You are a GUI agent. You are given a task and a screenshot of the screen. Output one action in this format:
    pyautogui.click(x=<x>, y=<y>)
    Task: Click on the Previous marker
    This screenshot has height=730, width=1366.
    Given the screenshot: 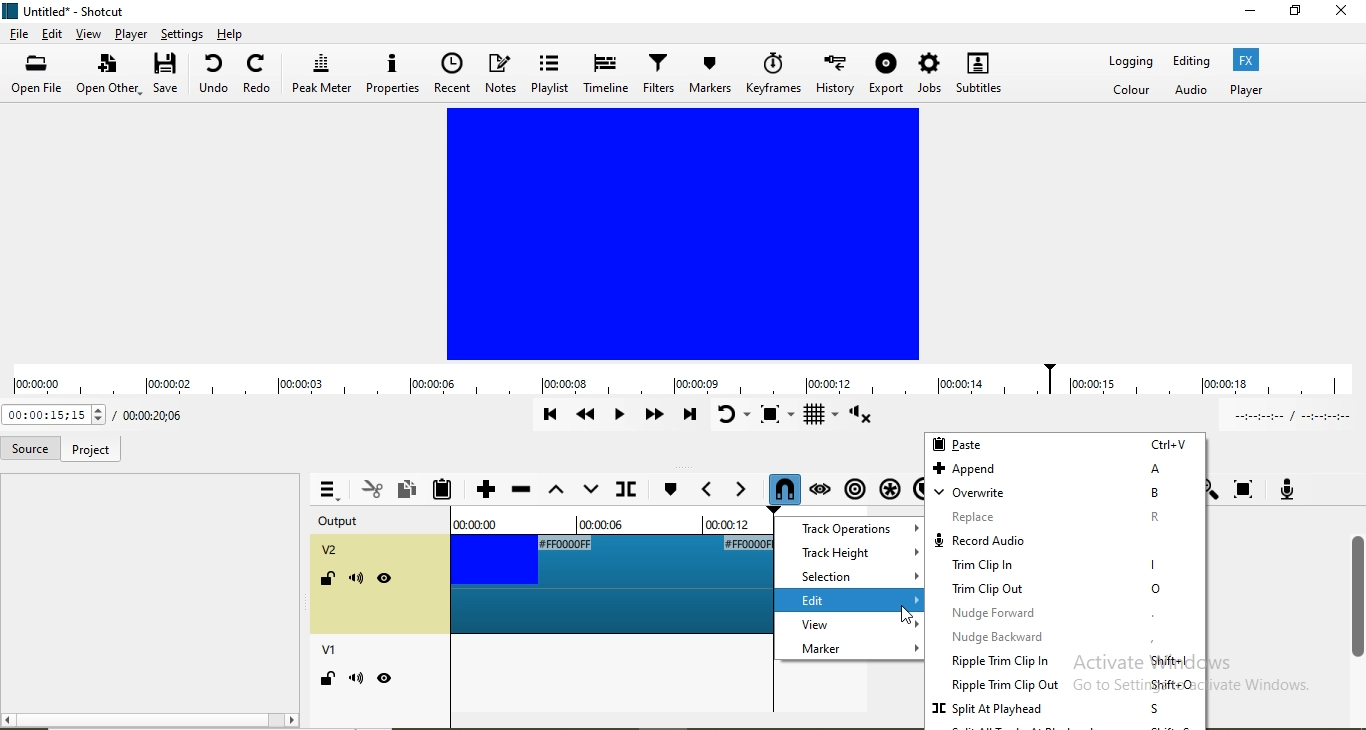 What is the action you would take?
    pyautogui.click(x=706, y=490)
    